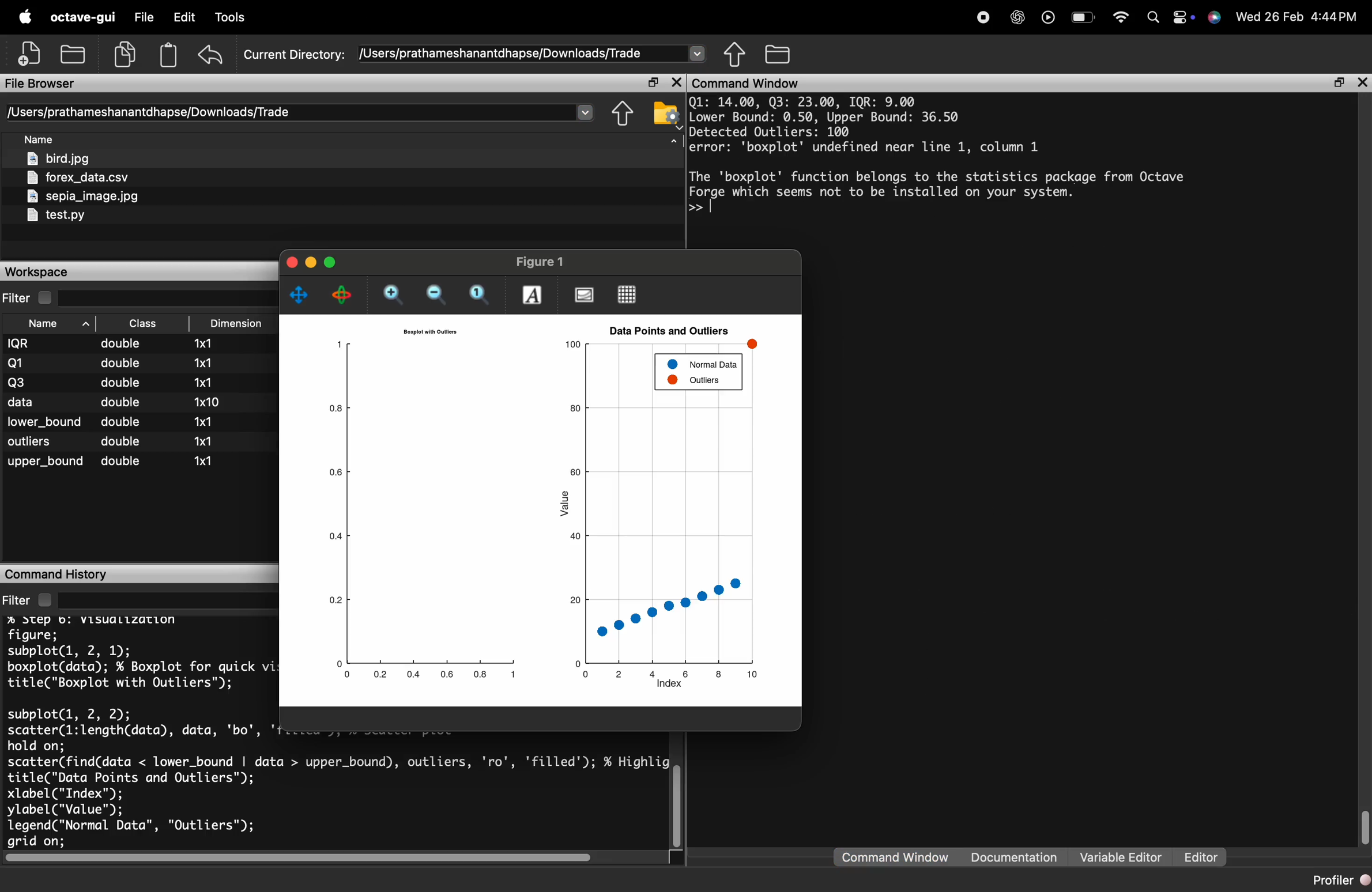 The height and width of the screenshot is (892, 1372). Describe the element at coordinates (867, 125) in the screenshot. I see `Ql: 14.00, Q3: 23.00, IQR: 9.00

Lower Bound: ©.50, Upper Bound: 36.50

Detected Outliers: 100

error: 'boxplot' undefined near line 1, column 1` at that location.